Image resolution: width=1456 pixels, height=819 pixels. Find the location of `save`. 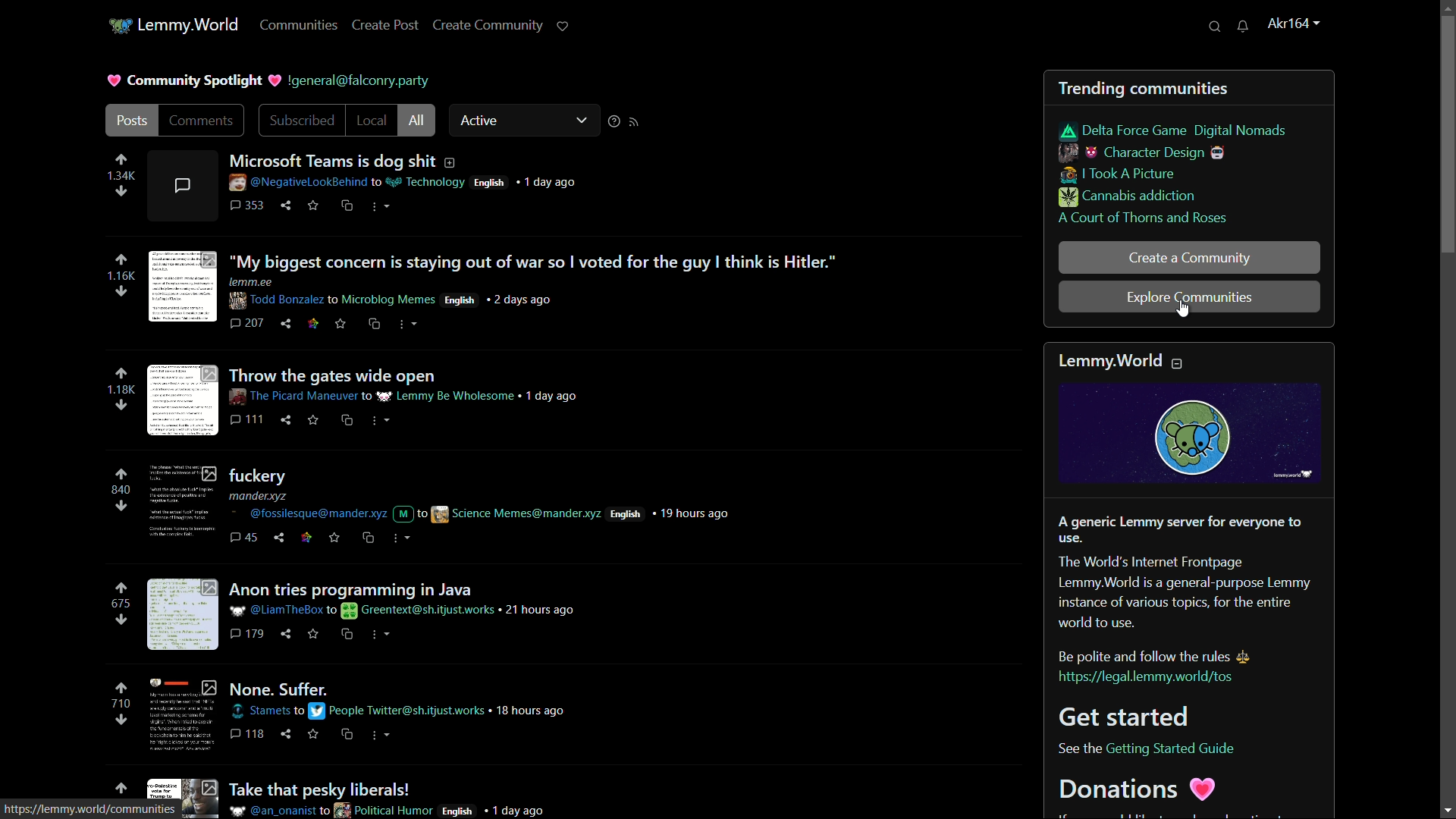

save is located at coordinates (339, 324).